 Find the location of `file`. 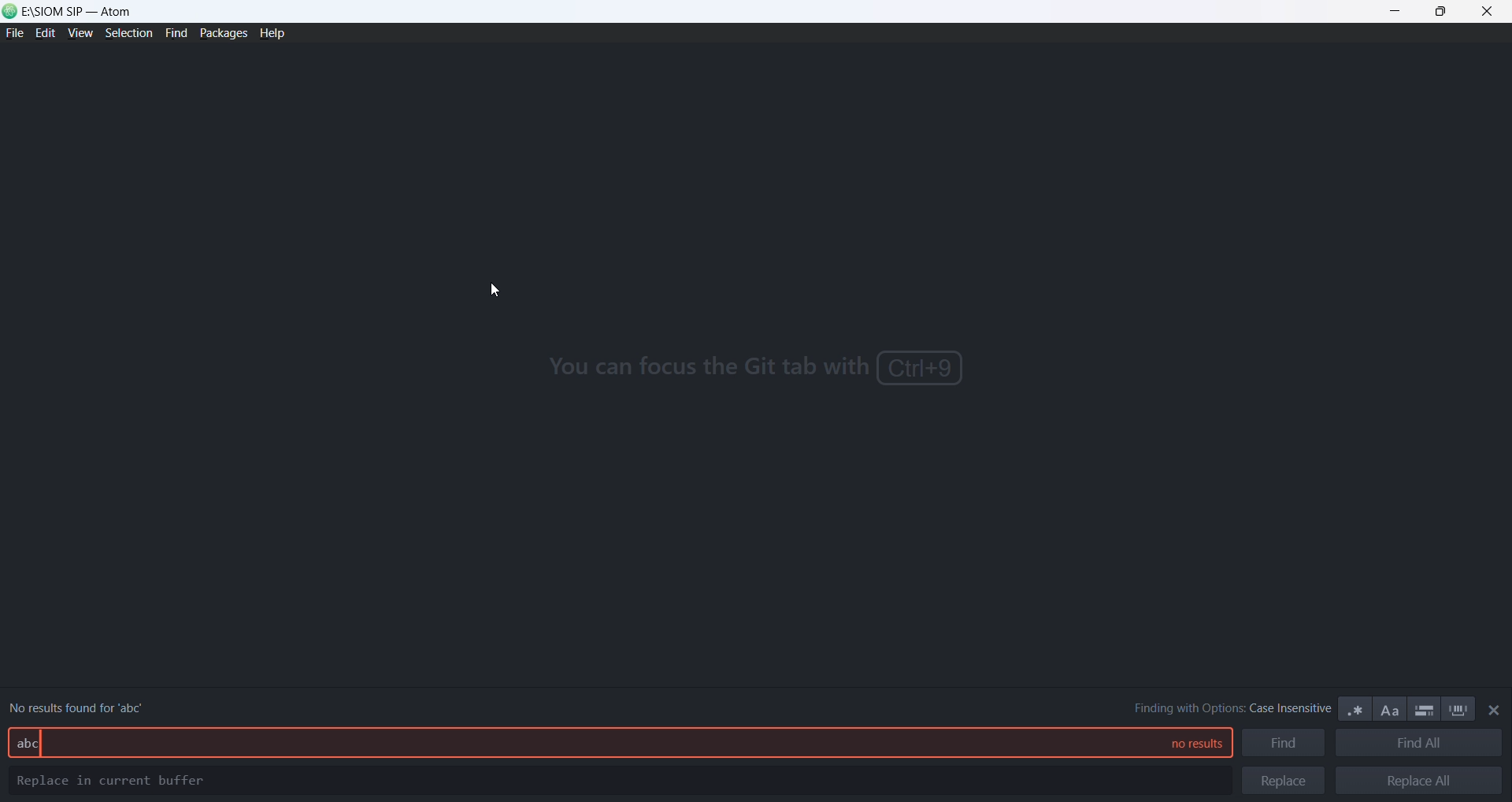

file is located at coordinates (14, 35).